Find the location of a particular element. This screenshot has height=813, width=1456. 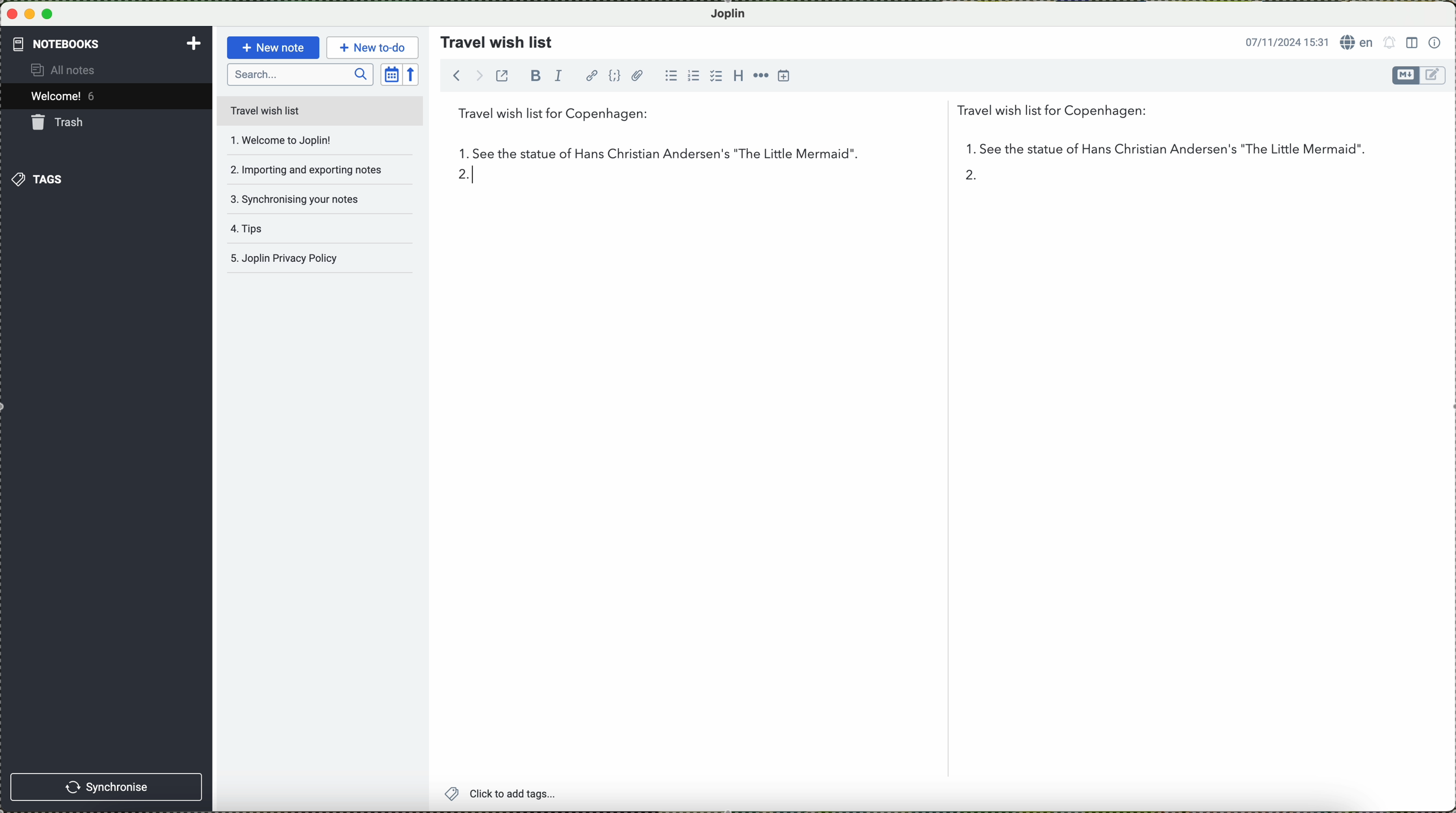

travel wish list for Copenhagen: is located at coordinates (809, 116).